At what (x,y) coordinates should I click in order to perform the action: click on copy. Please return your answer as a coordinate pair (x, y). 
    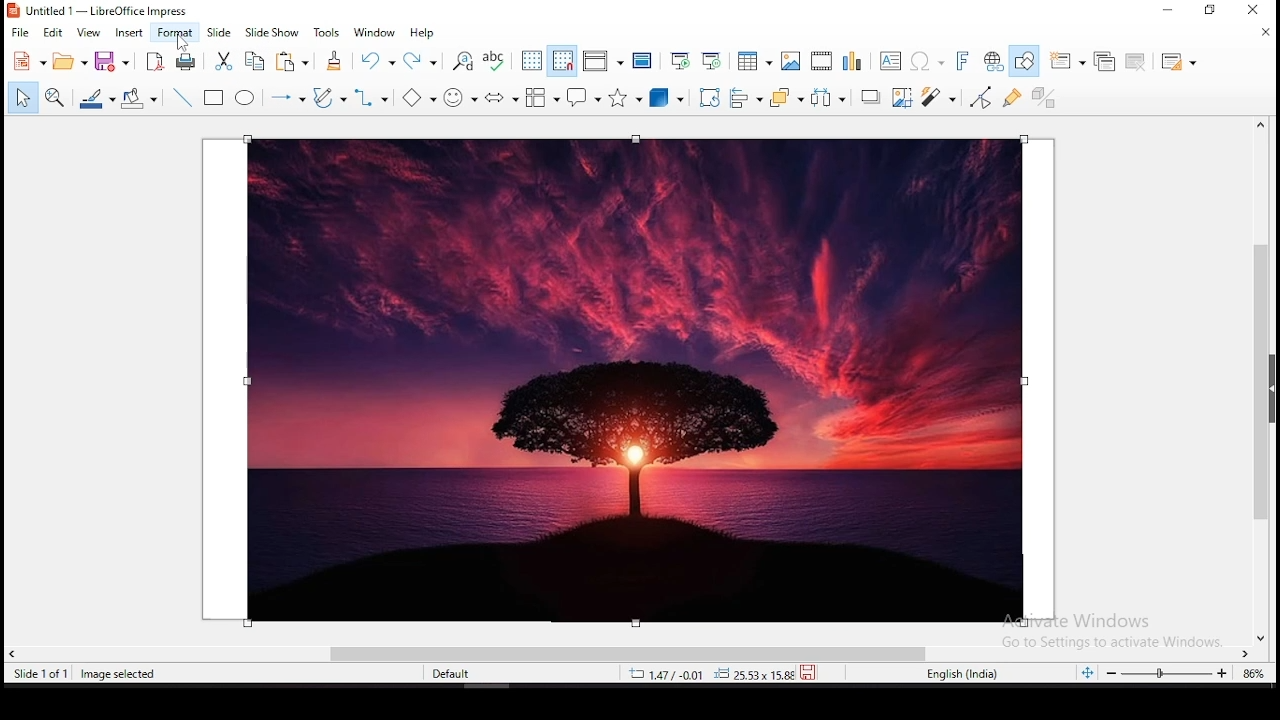
    Looking at the image, I should click on (254, 60).